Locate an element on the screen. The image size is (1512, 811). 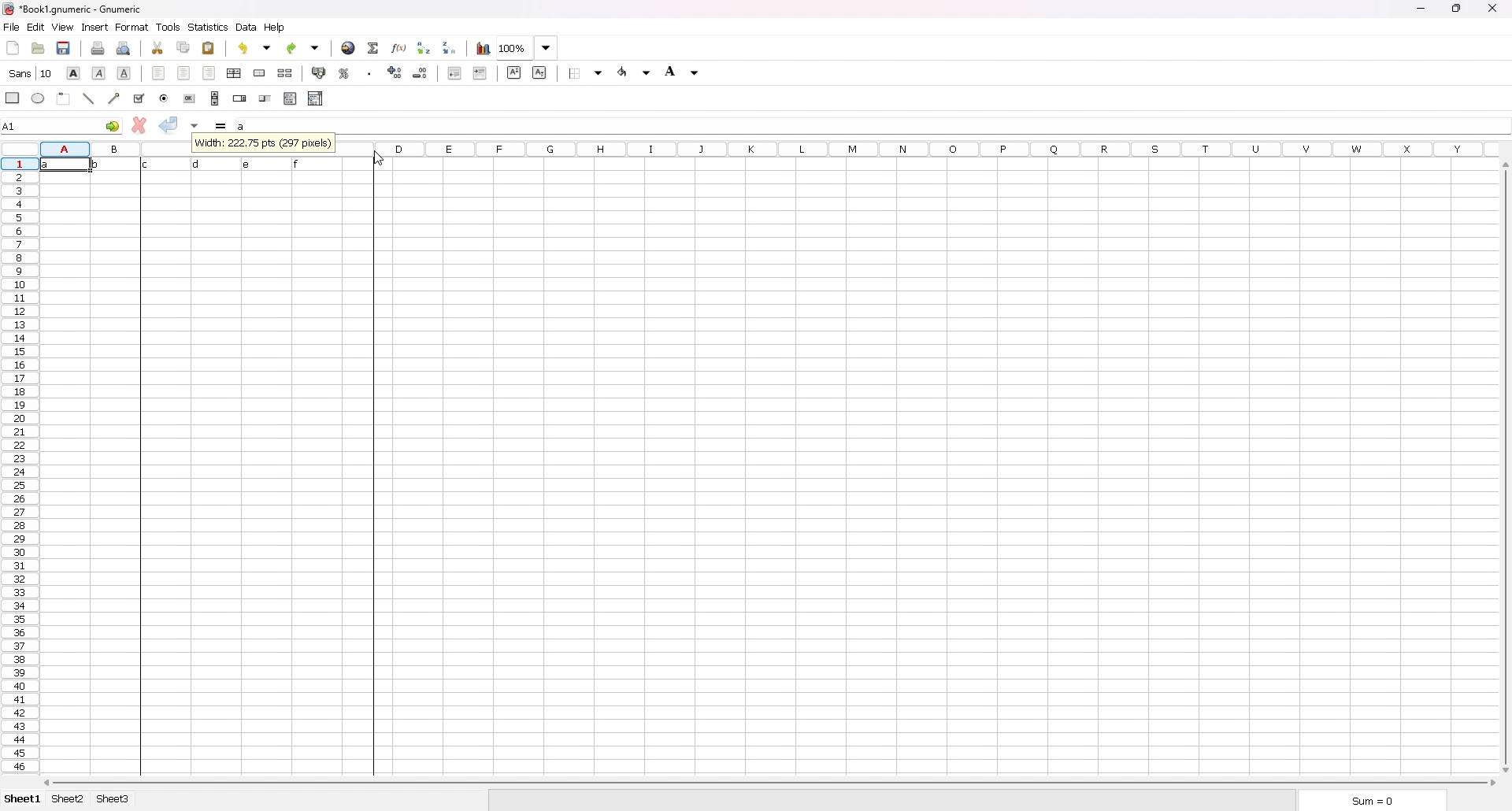
frame is located at coordinates (65, 97).